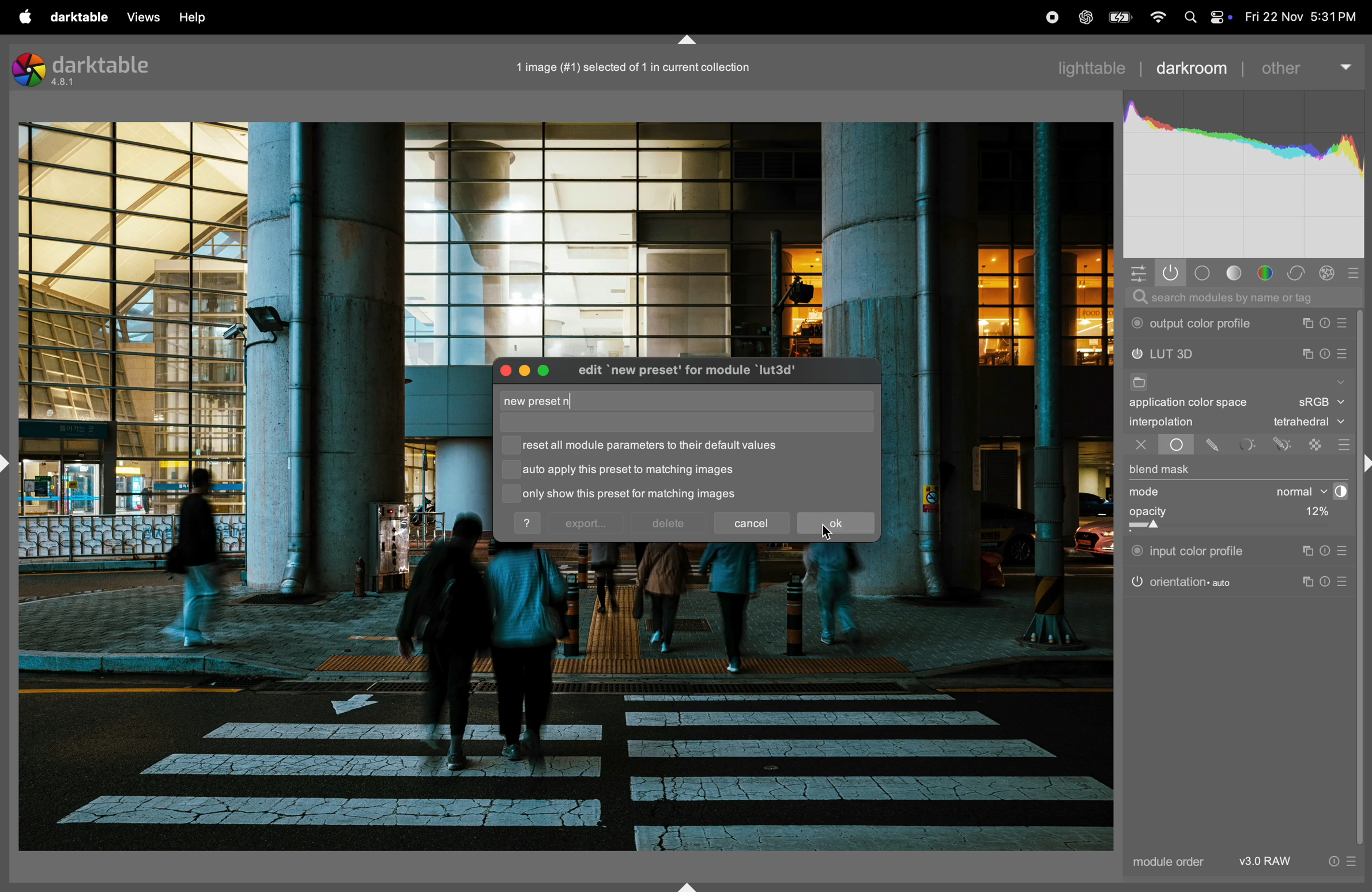 The width and height of the screenshot is (1372, 892). Describe the element at coordinates (1346, 582) in the screenshot. I see `presets` at that location.